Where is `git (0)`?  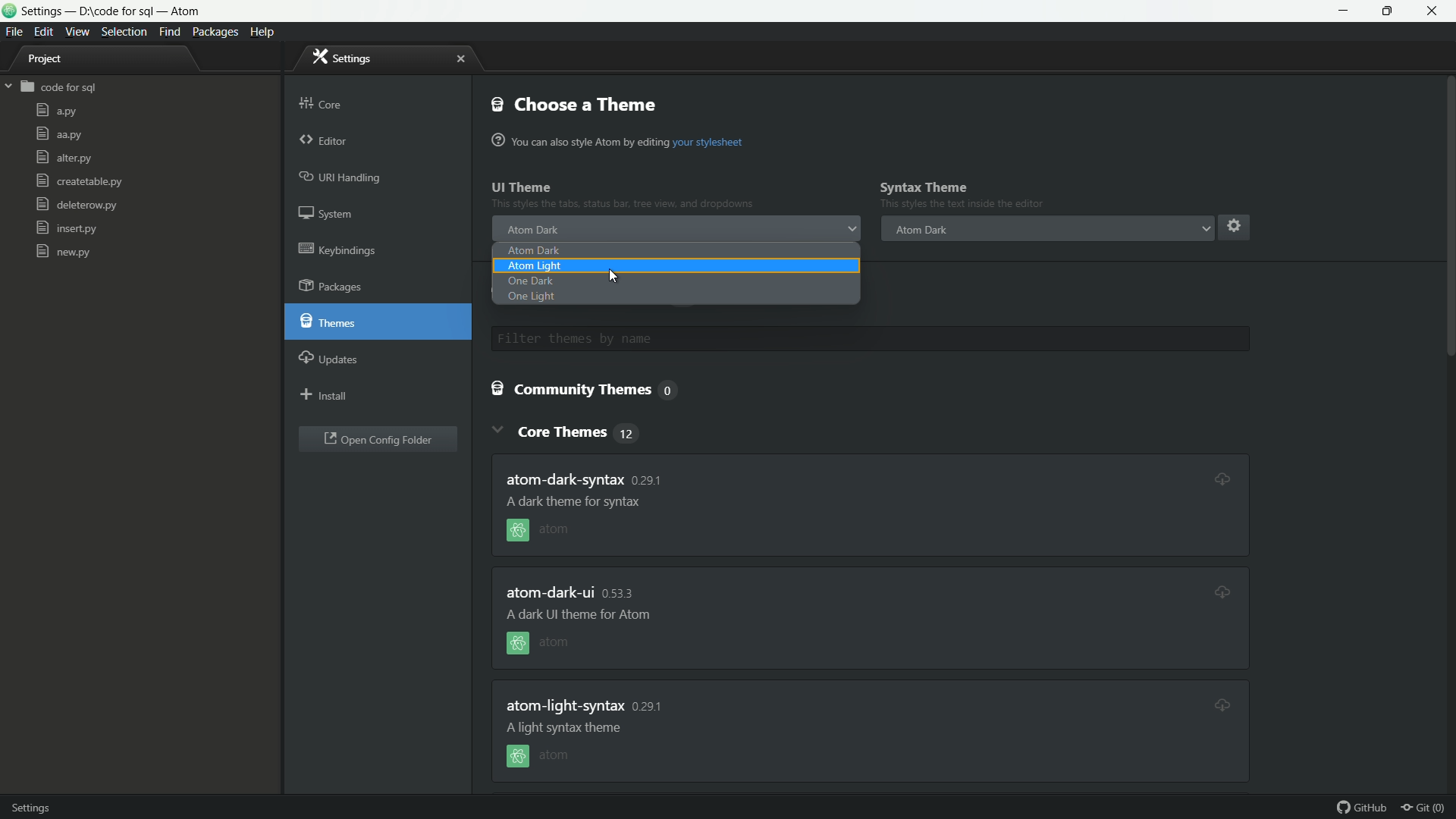 git (0) is located at coordinates (1427, 808).